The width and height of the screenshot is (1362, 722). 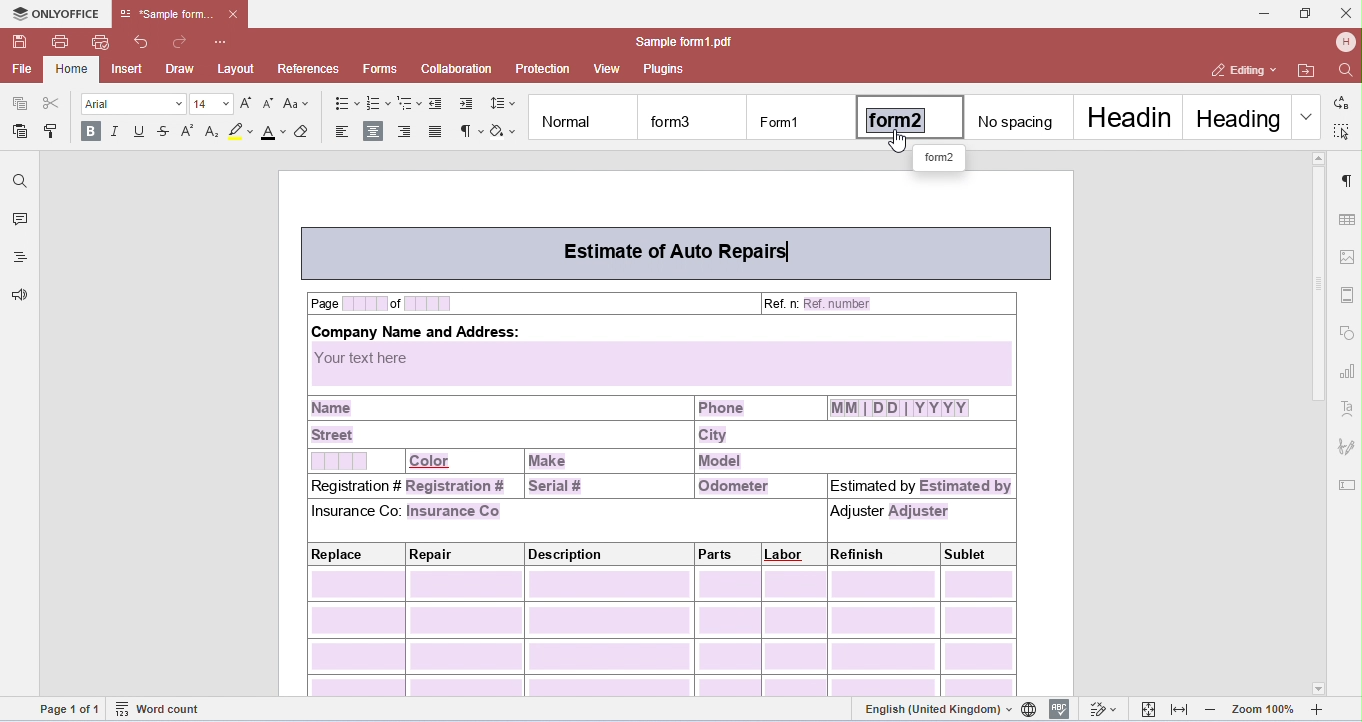 What do you see at coordinates (899, 147) in the screenshot?
I see `cursor` at bounding box center [899, 147].